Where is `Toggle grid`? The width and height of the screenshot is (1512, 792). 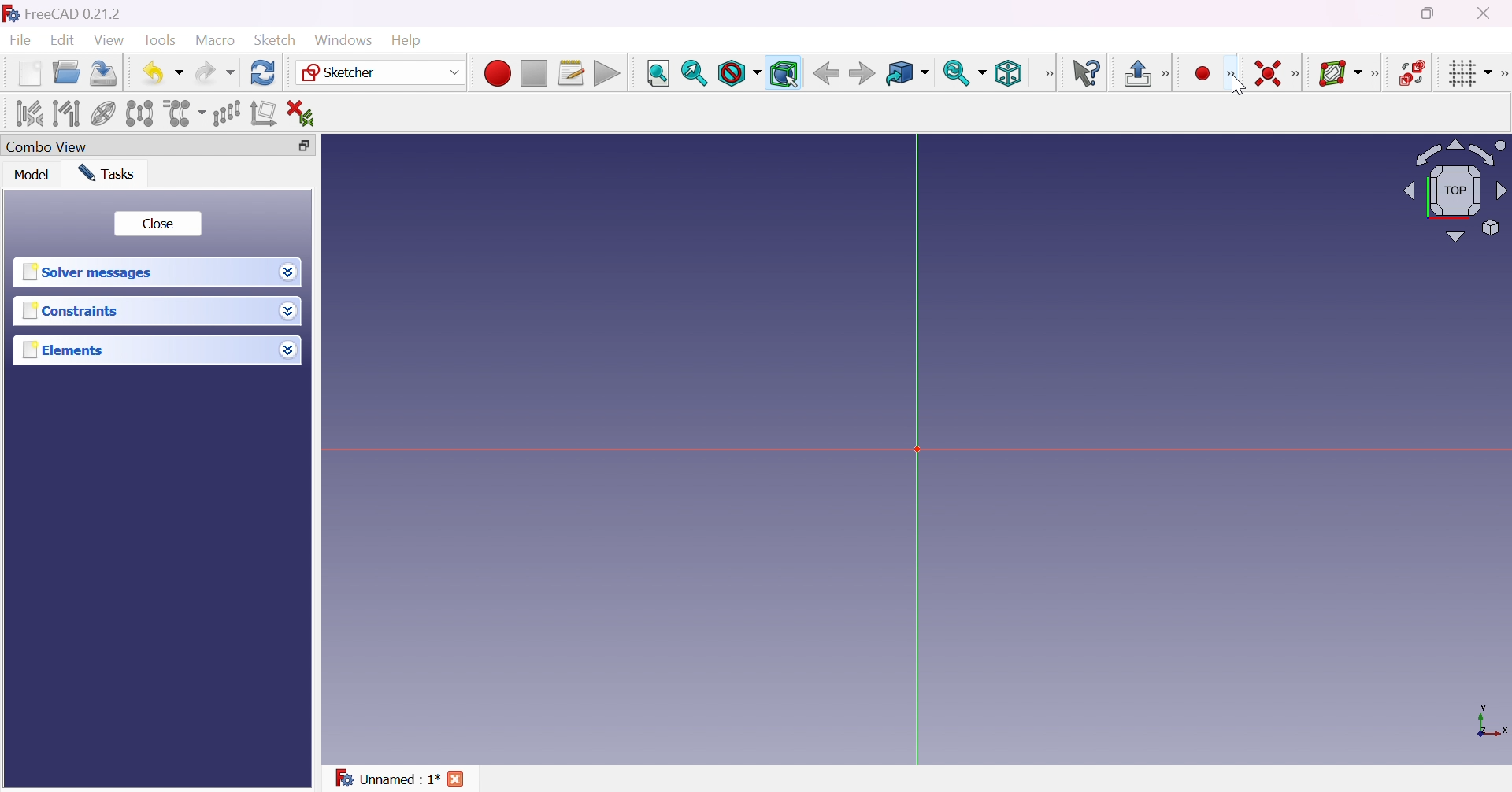 Toggle grid is located at coordinates (1471, 74).